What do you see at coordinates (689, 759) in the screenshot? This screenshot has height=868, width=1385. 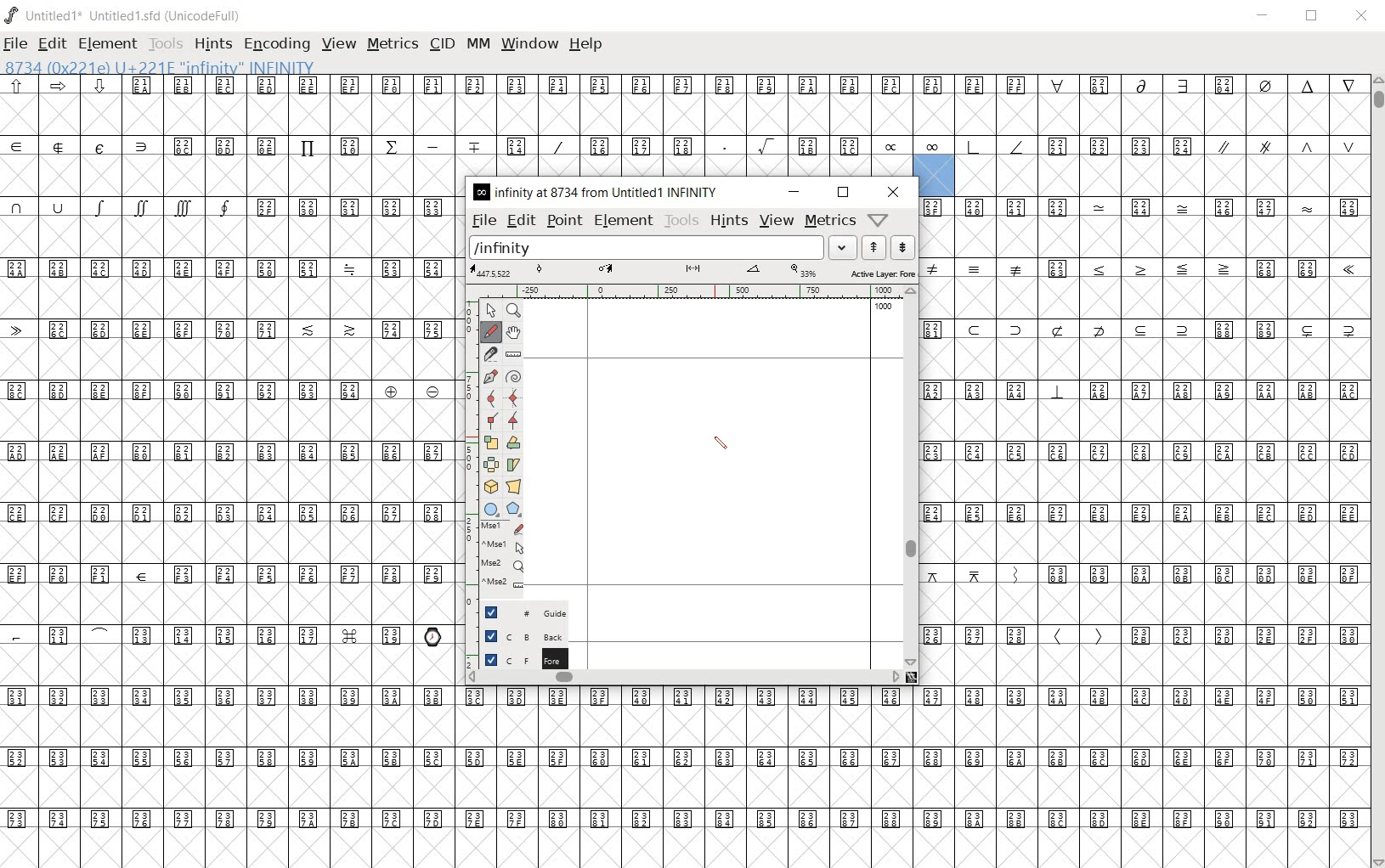 I see `Unicode code points` at bounding box center [689, 759].